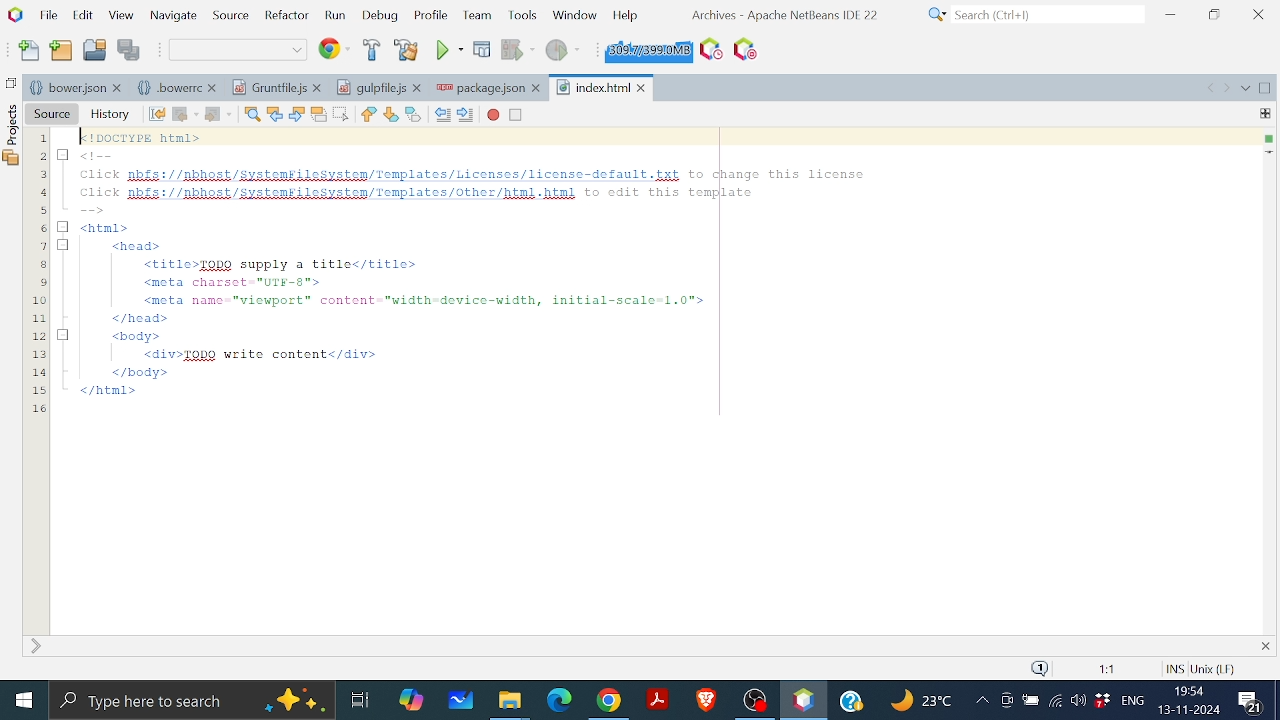 The width and height of the screenshot is (1280, 720). Describe the element at coordinates (108, 115) in the screenshot. I see `History` at that location.